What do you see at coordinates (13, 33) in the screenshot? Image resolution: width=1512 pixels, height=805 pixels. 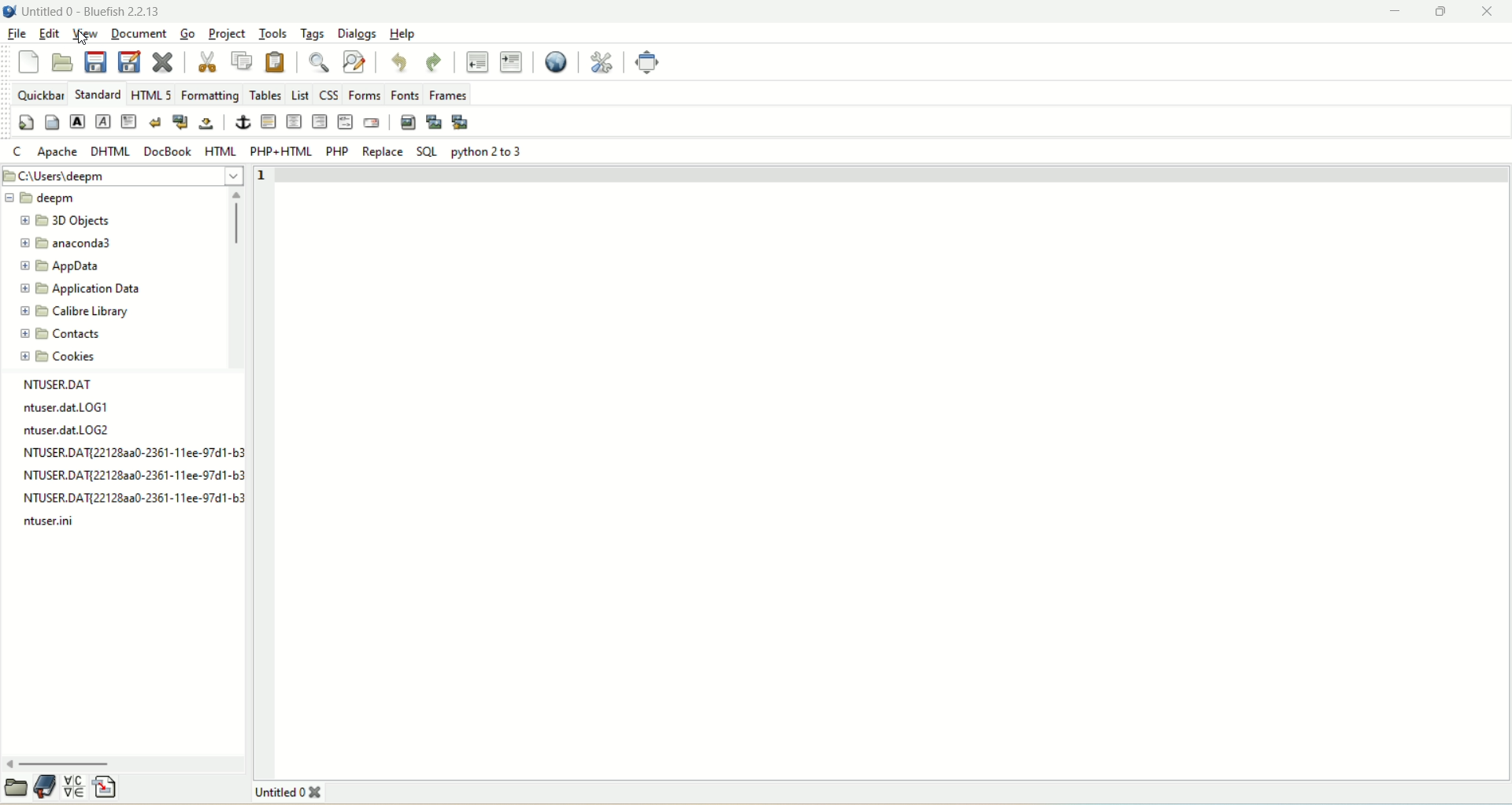 I see `file` at bounding box center [13, 33].